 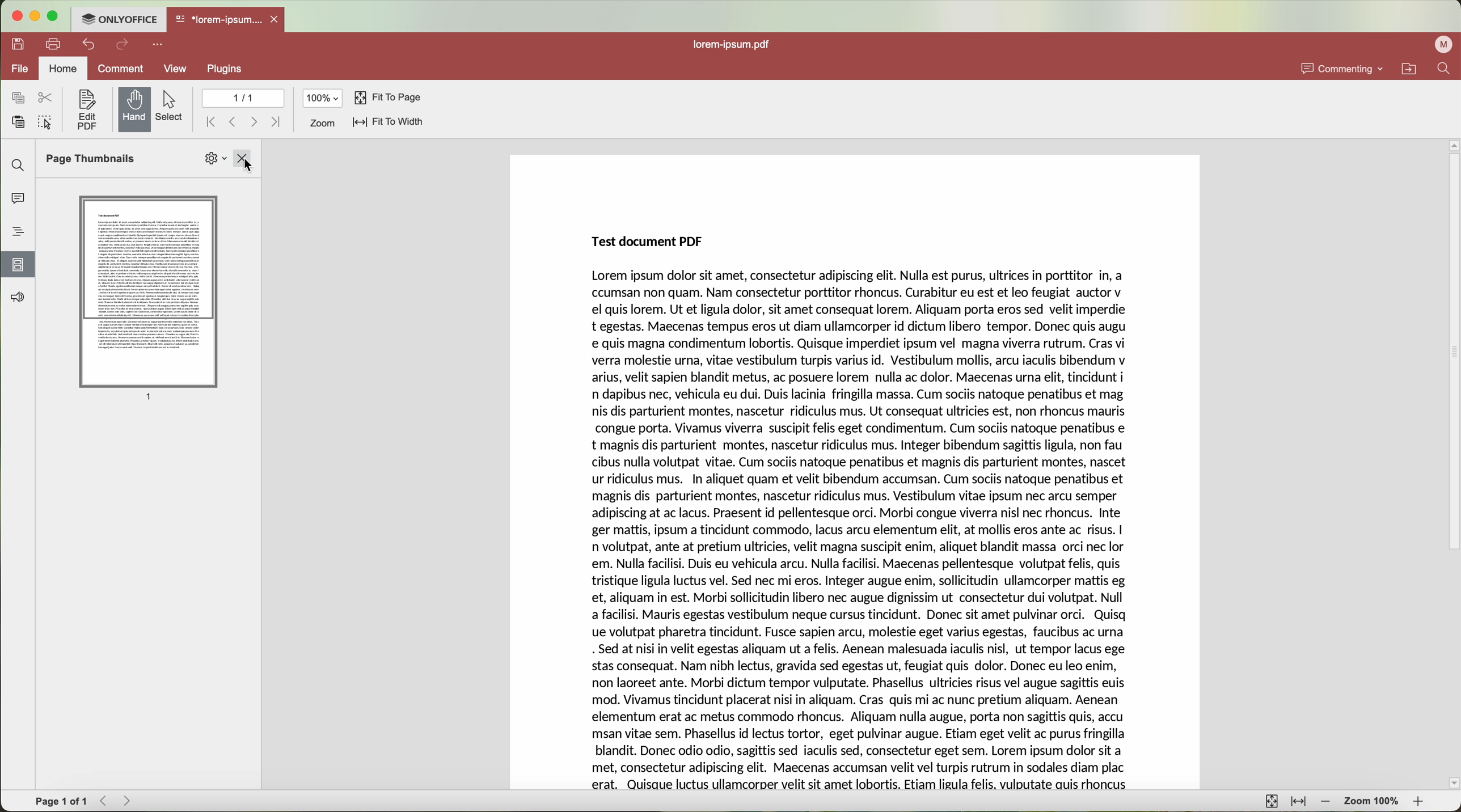 What do you see at coordinates (1447, 69) in the screenshot?
I see `find` at bounding box center [1447, 69].